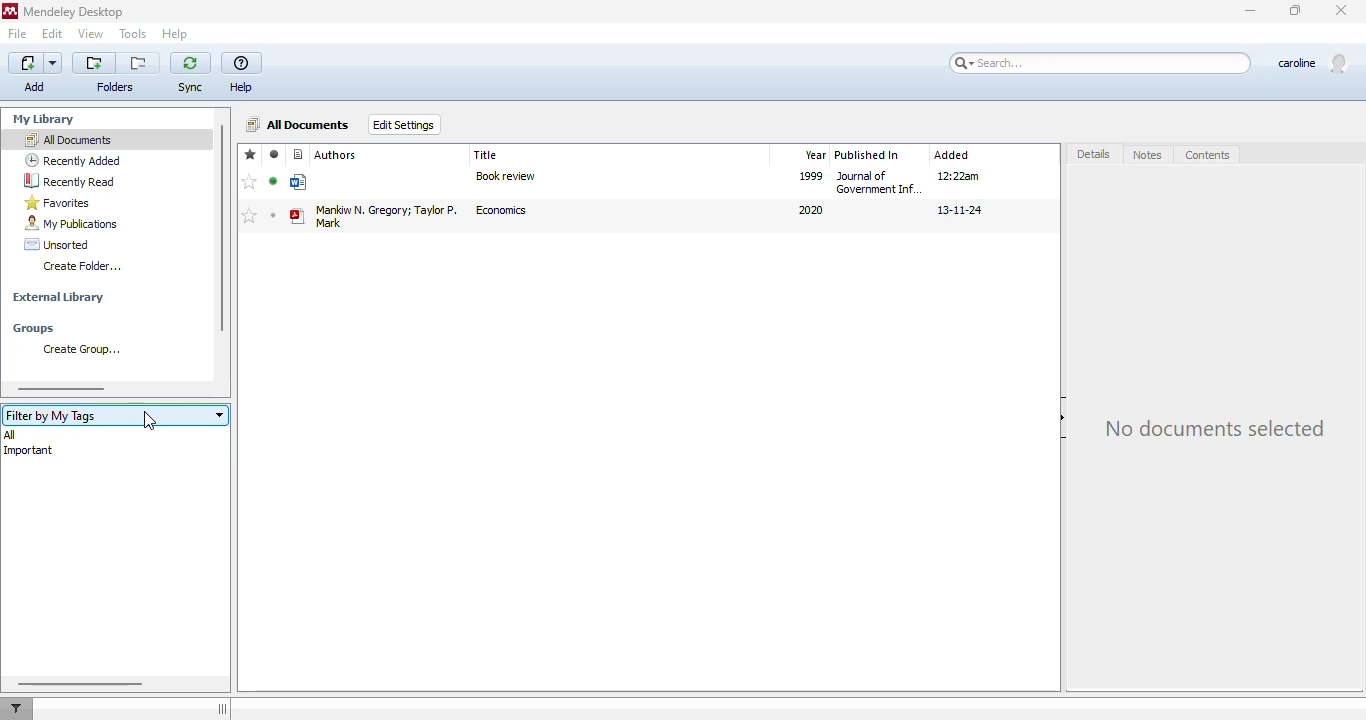  I want to click on title, so click(486, 154).